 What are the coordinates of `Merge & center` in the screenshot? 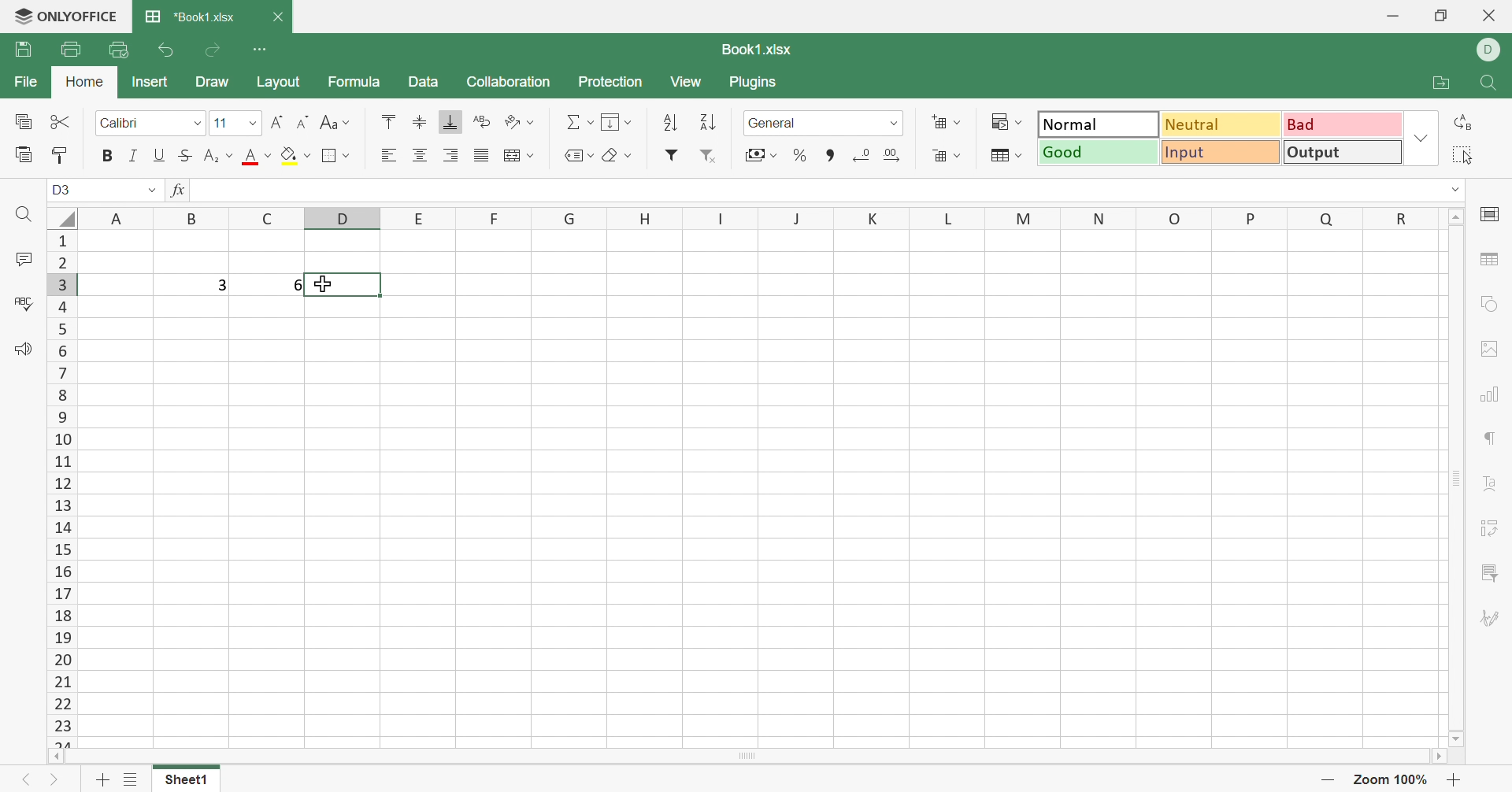 It's located at (516, 157).